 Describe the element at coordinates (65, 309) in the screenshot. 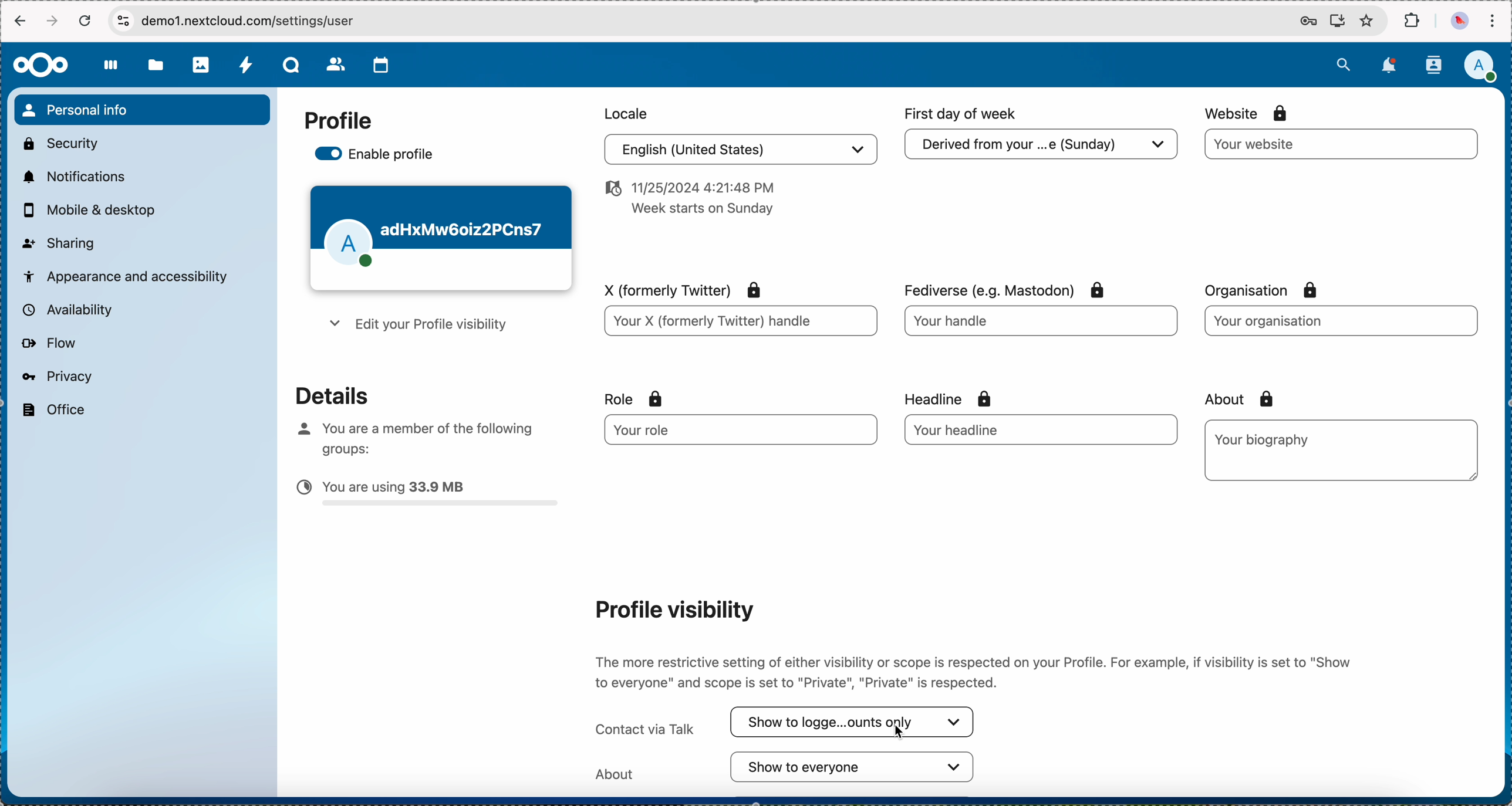

I see `availability` at that location.